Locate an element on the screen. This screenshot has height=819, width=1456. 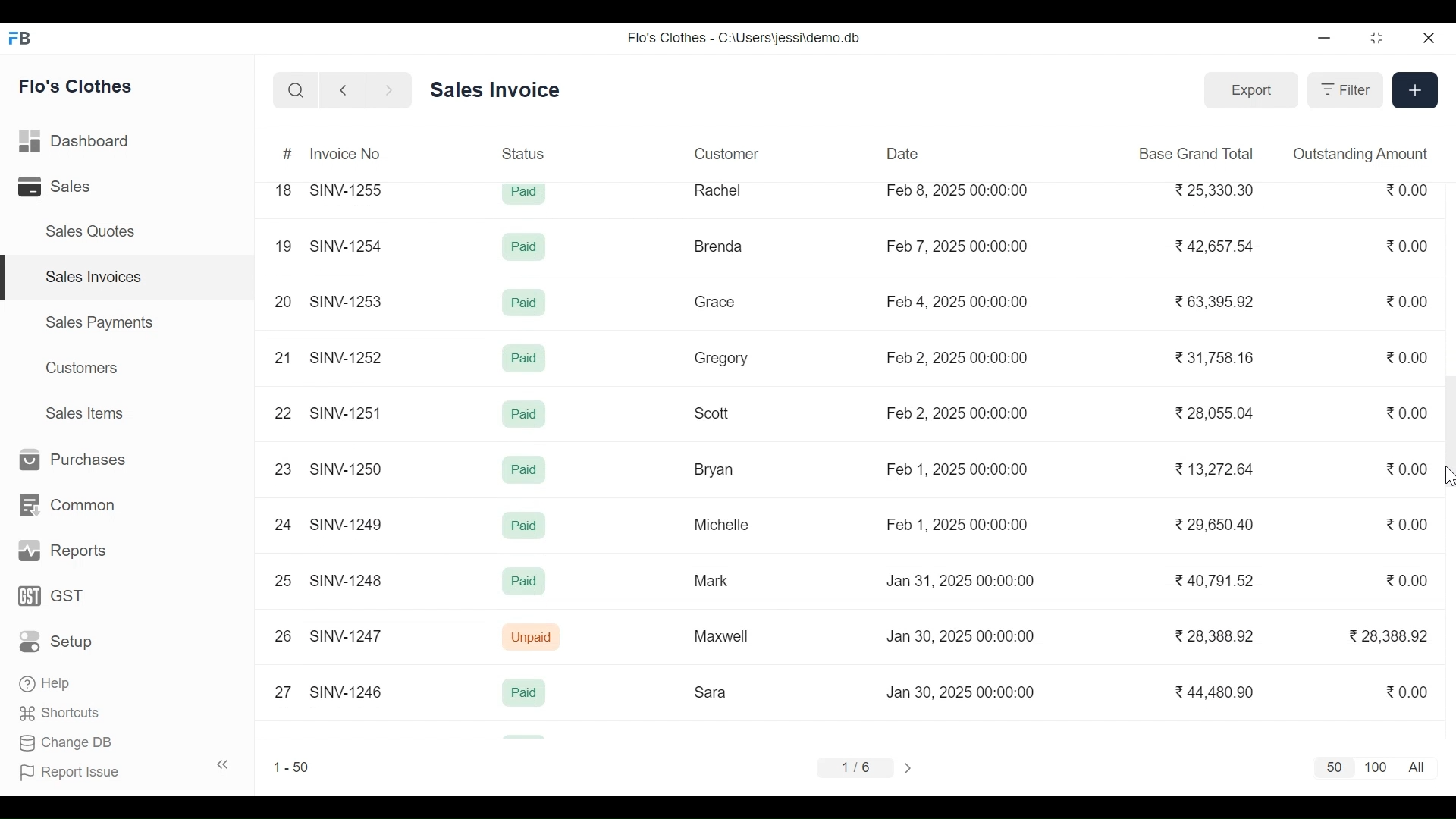
# is located at coordinates (289, 155).